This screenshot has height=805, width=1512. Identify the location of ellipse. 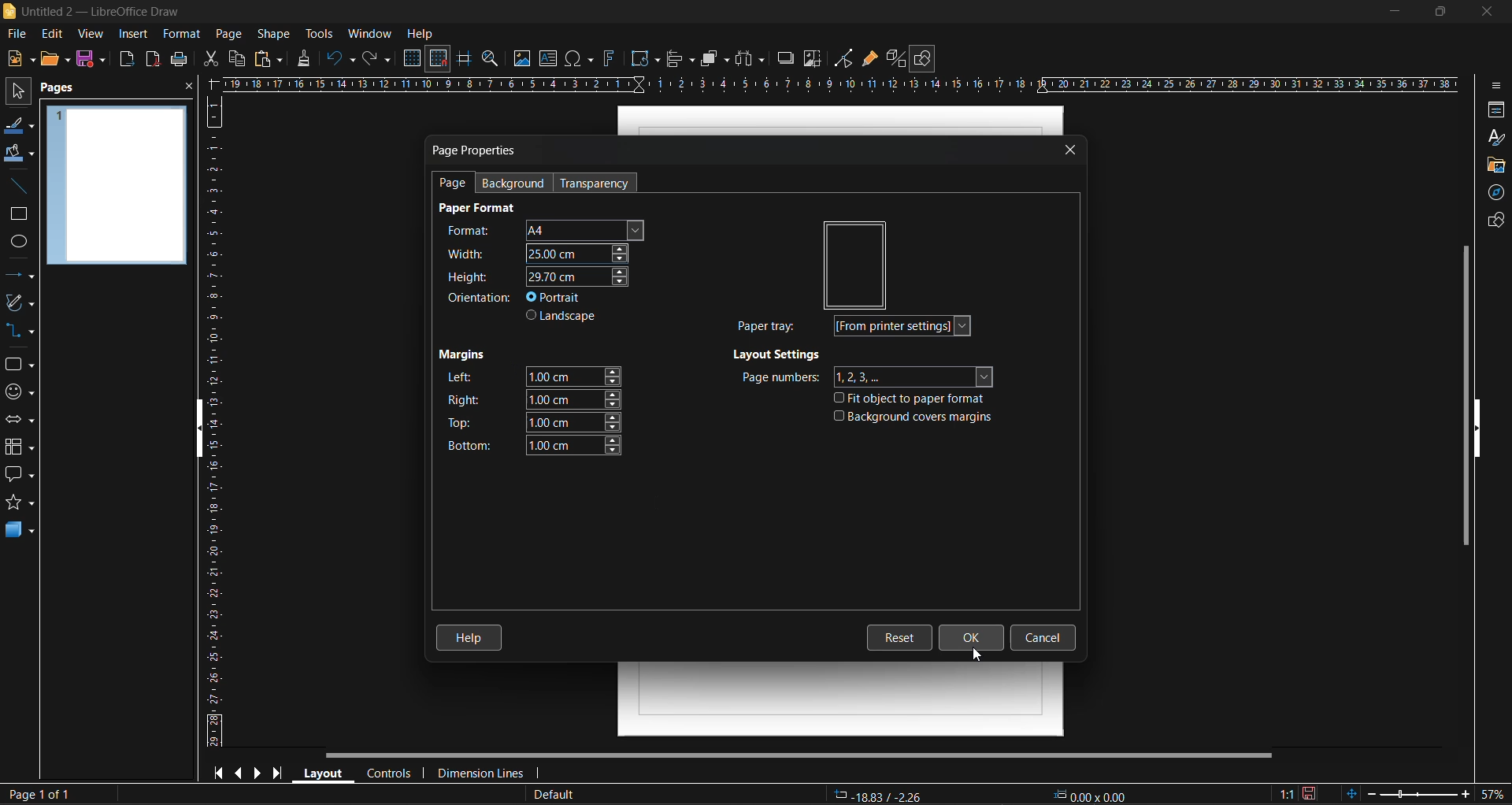
(19, 244).